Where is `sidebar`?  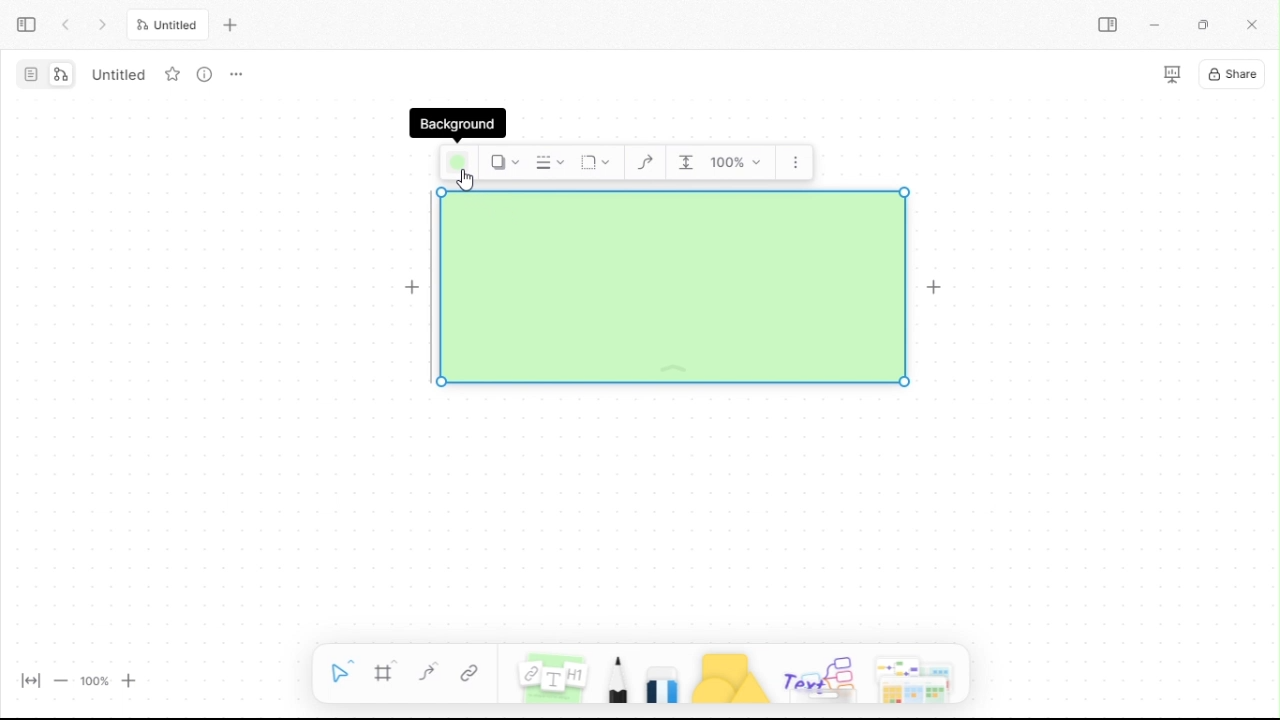
sidebar is located at coordinates (1110, 26).